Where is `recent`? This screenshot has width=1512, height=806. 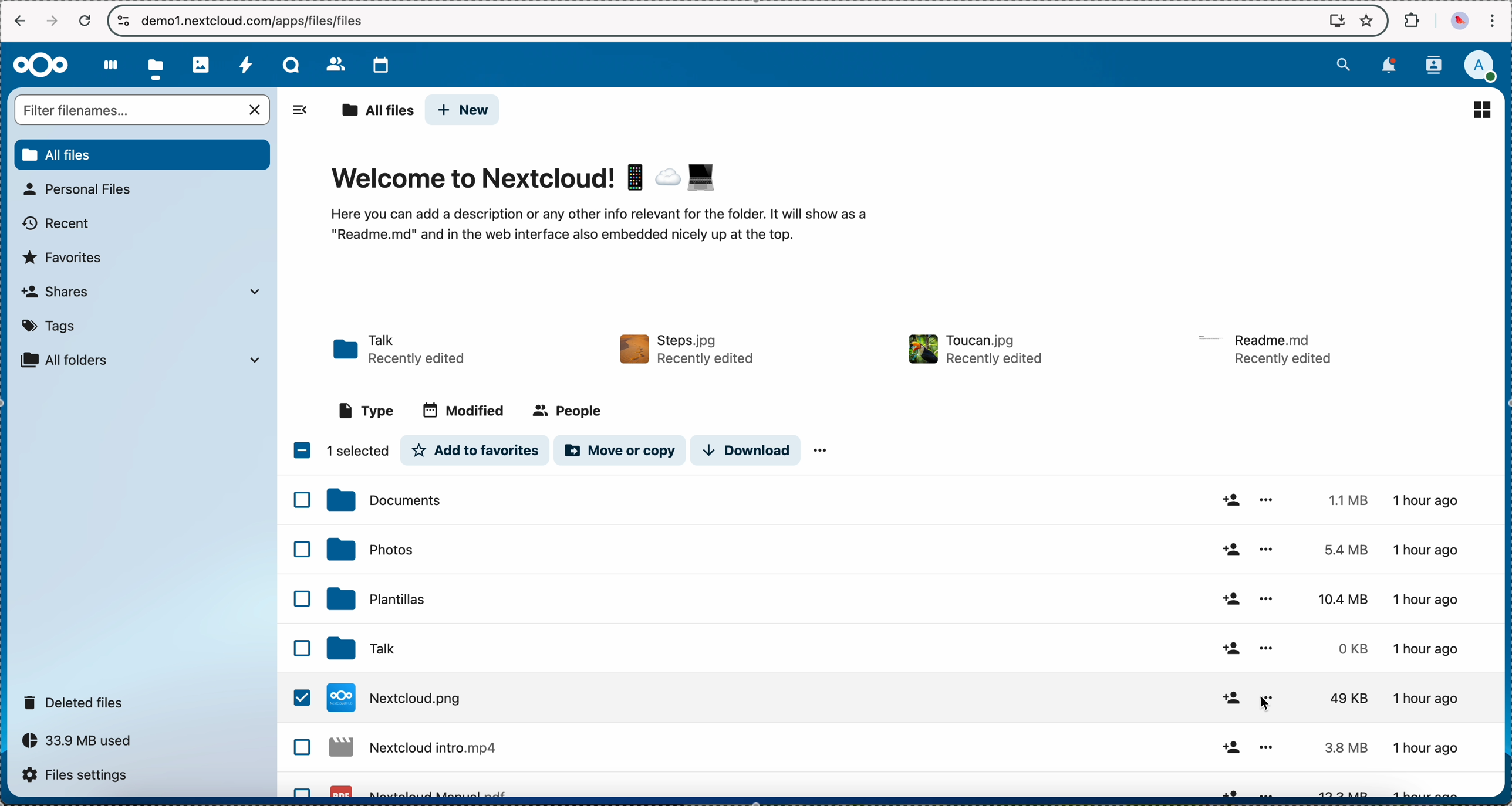 recent is located at coordinates (54, 226).